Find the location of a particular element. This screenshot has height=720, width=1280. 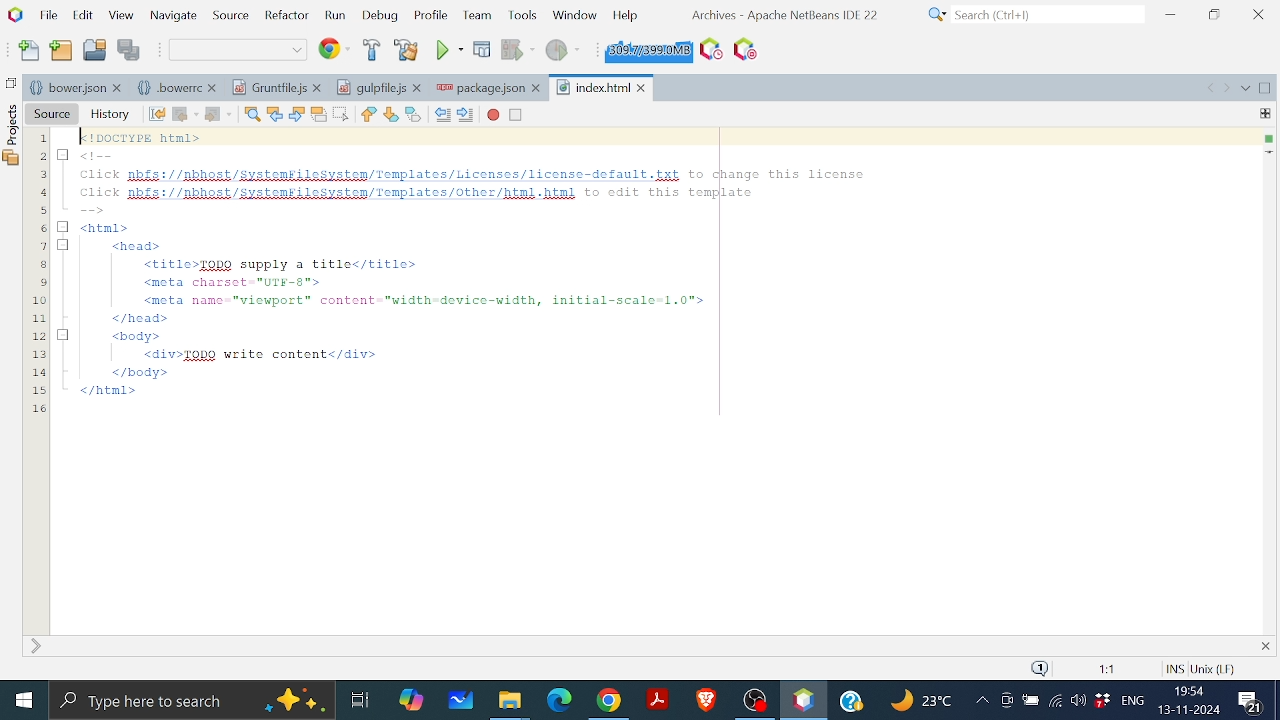

<title>TODO supply a title</title> is located at coordinates (282, 265).